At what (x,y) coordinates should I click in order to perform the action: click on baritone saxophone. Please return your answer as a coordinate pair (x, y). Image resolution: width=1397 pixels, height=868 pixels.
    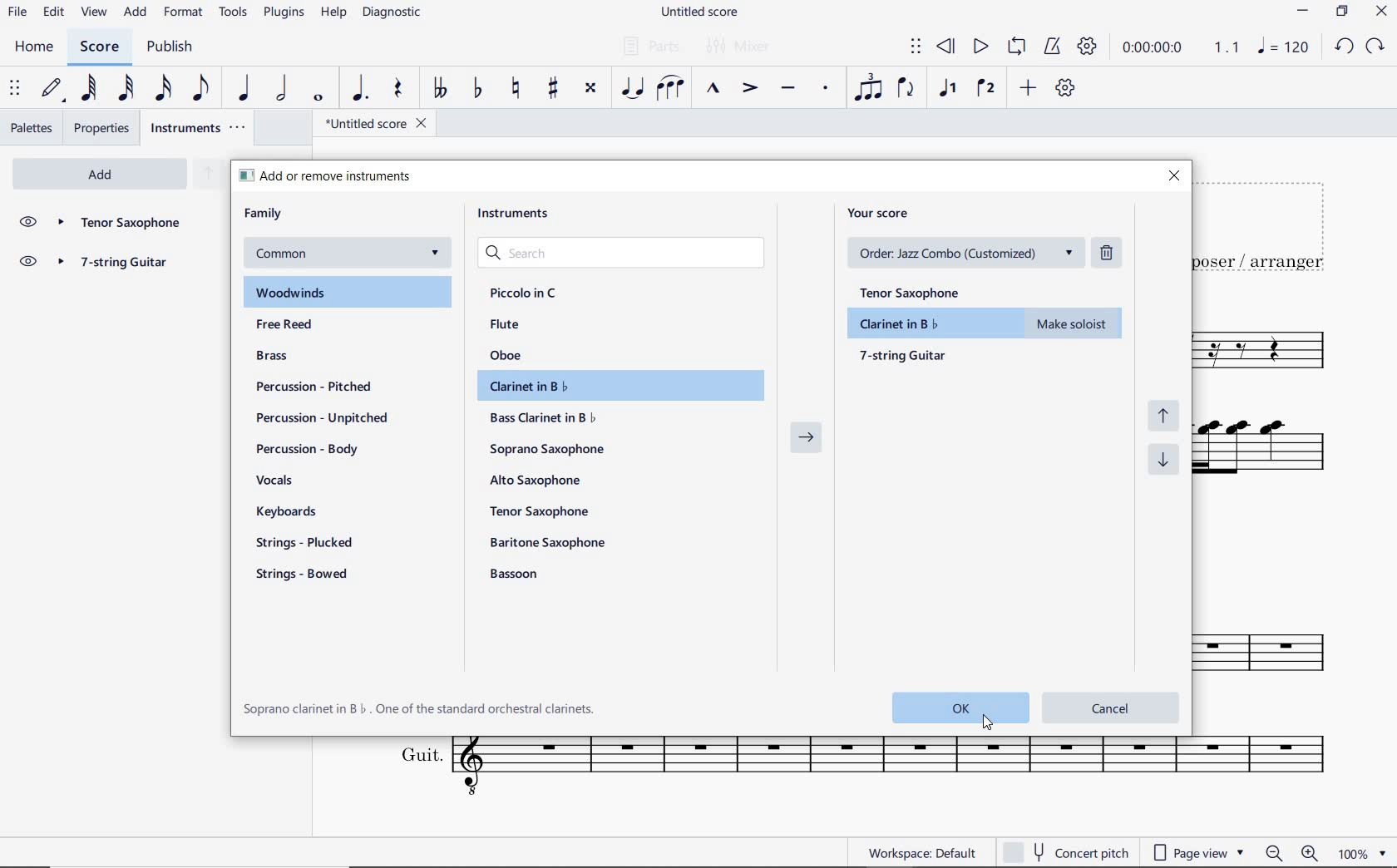
    Looking at the image, I should click on (547, 542).